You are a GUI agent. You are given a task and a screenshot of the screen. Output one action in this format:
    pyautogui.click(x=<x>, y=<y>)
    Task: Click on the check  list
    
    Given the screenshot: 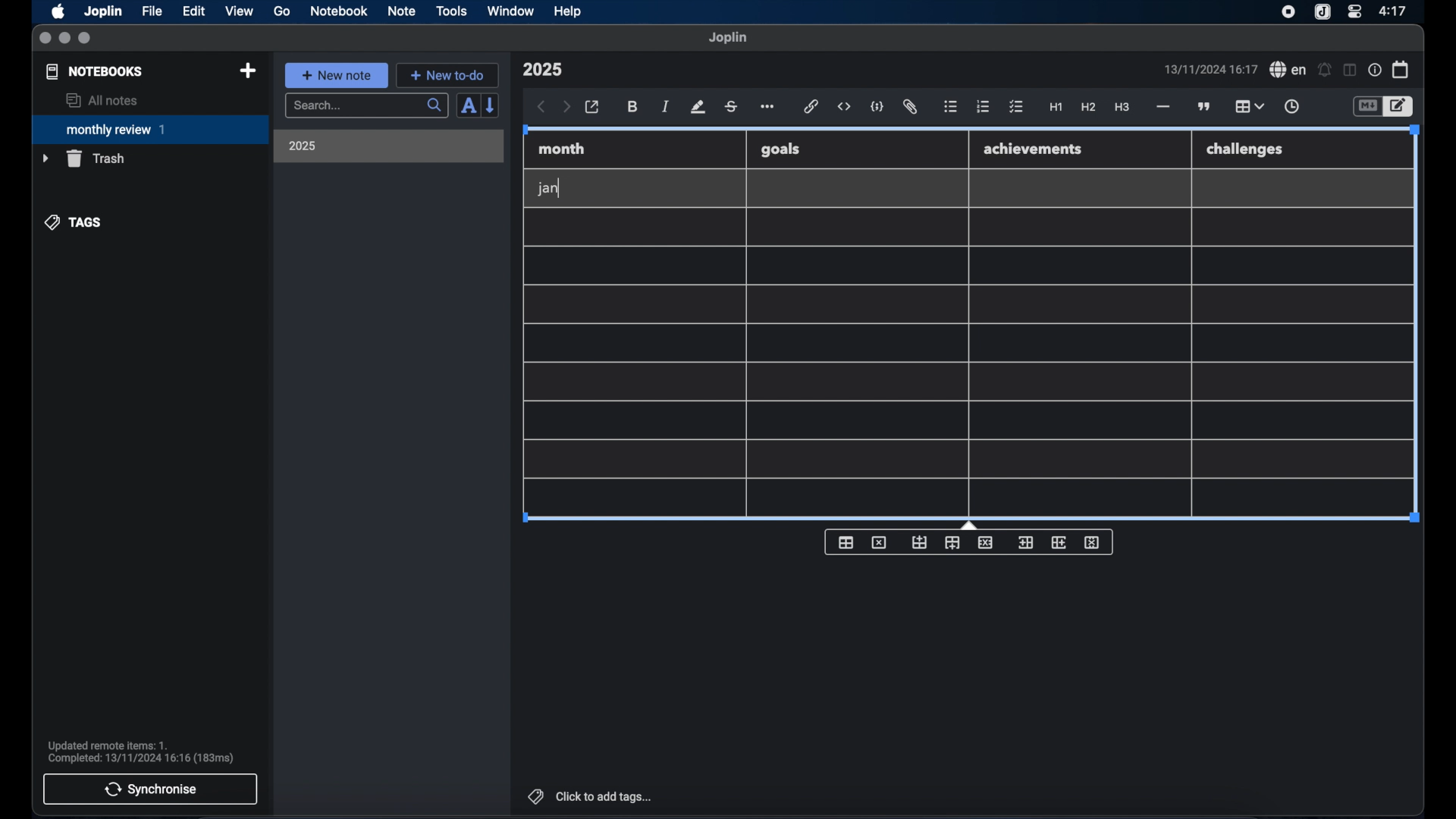 What is the action you would take?
    pyautogui.click(x=1016, y=108)
    